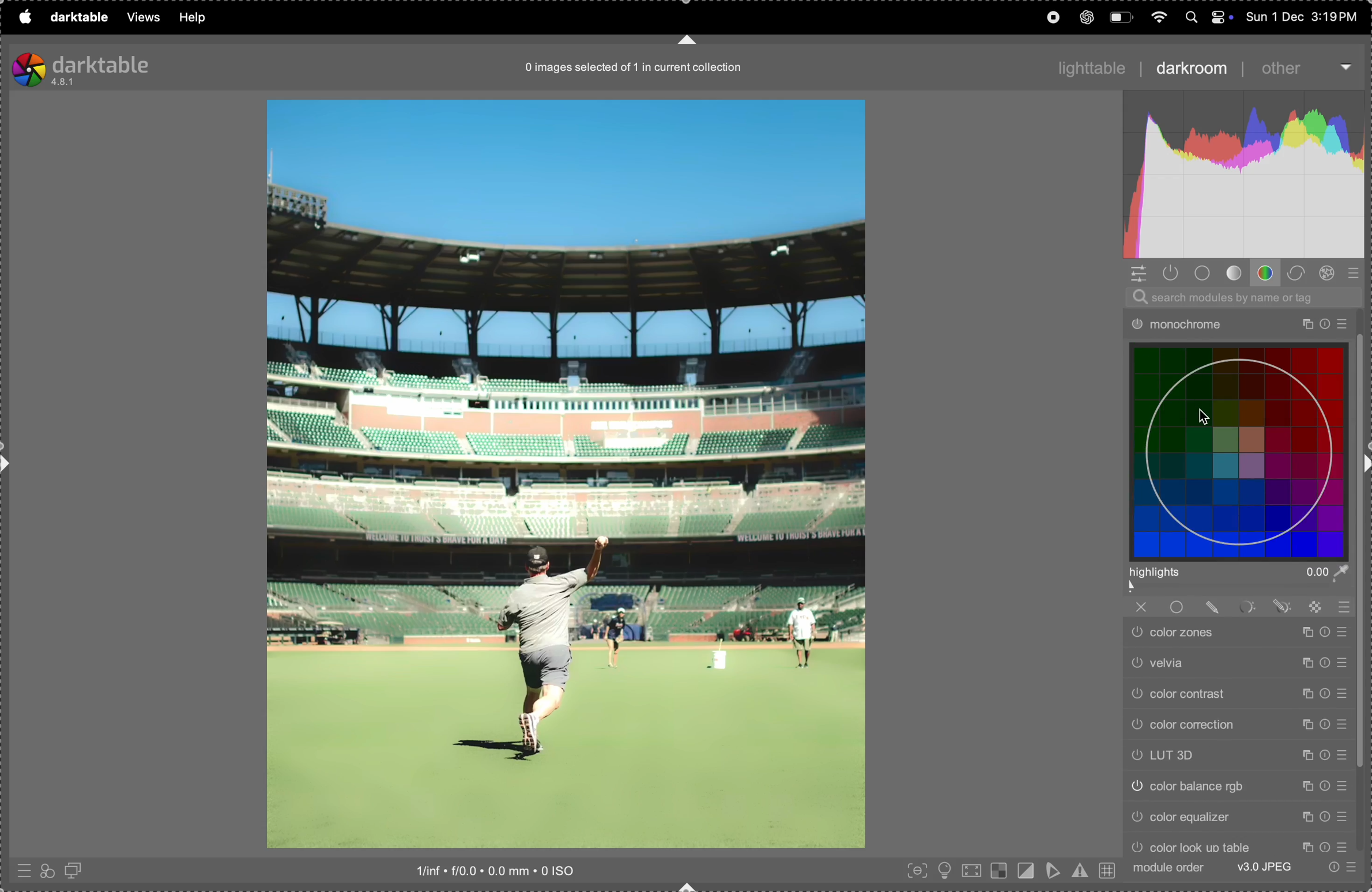 The height and width of the screenshot is (892, 1372). Describe the element at coordinates (1342, 866) in the screenshot. I see `options` at that location.